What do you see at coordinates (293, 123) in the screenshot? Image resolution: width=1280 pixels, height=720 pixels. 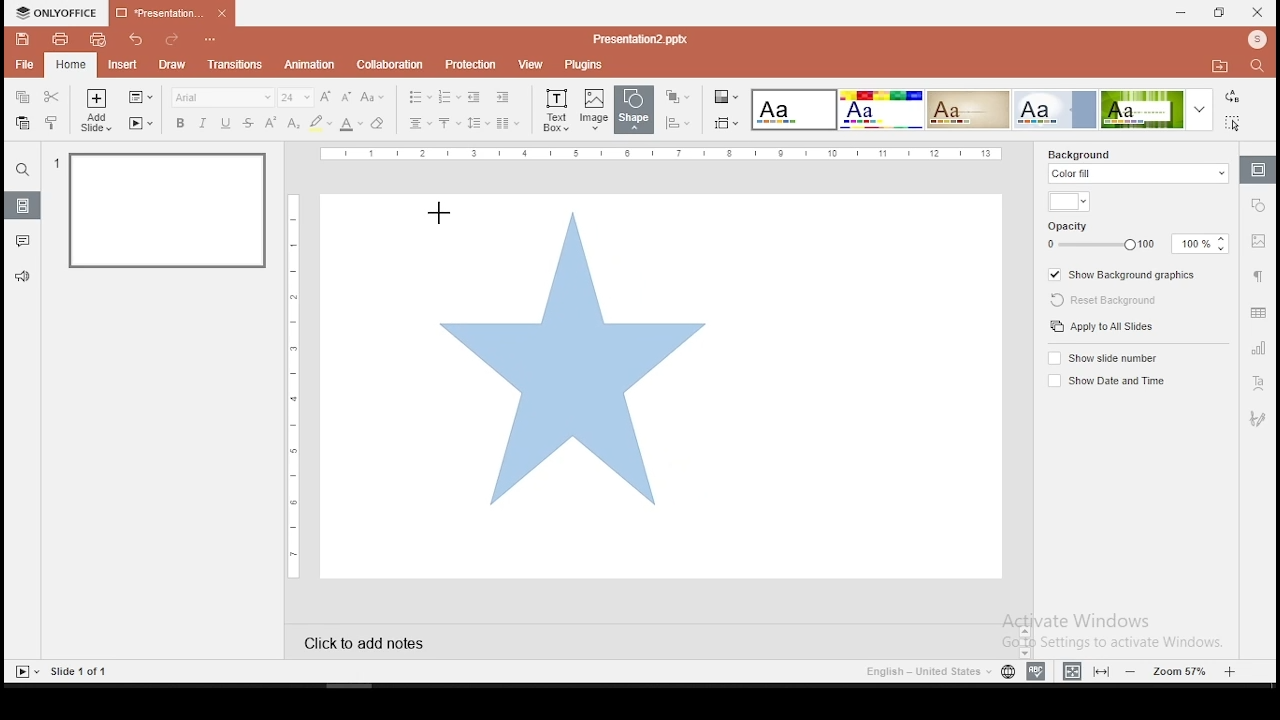 I see `subscript` at bounding box center [293, 123].